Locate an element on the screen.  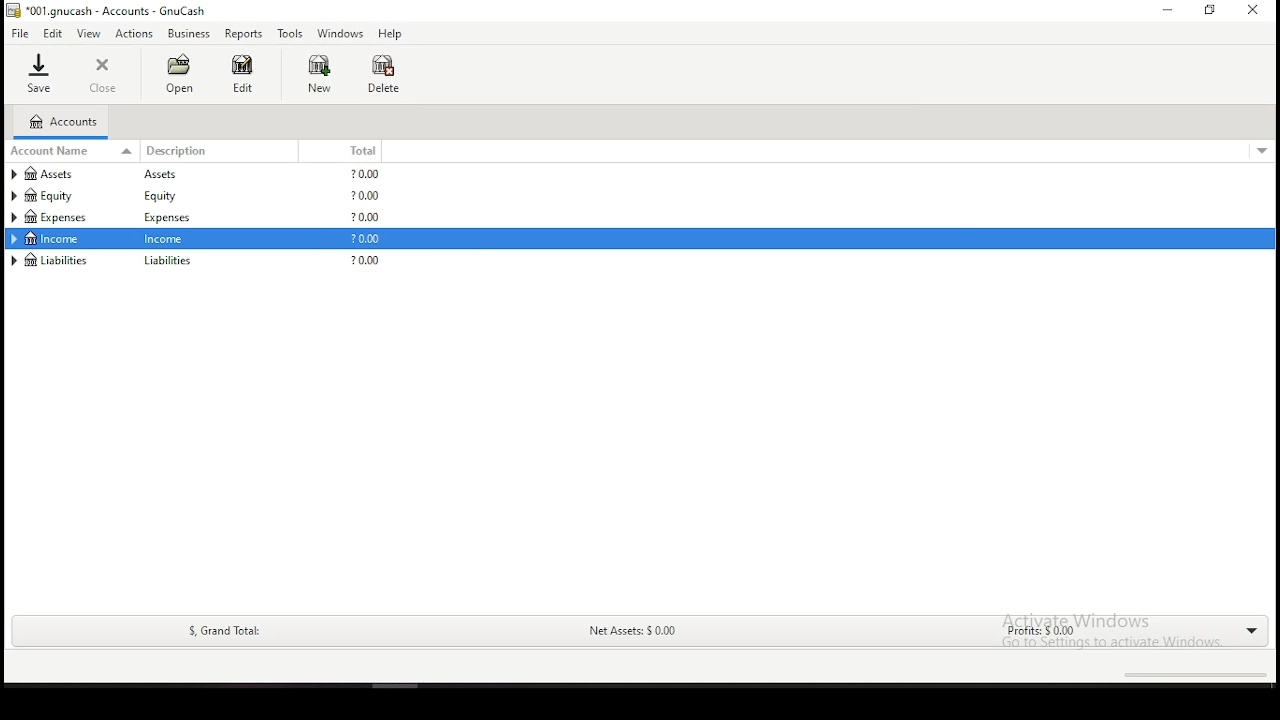
liabilities is located at coordinates (168, 262).